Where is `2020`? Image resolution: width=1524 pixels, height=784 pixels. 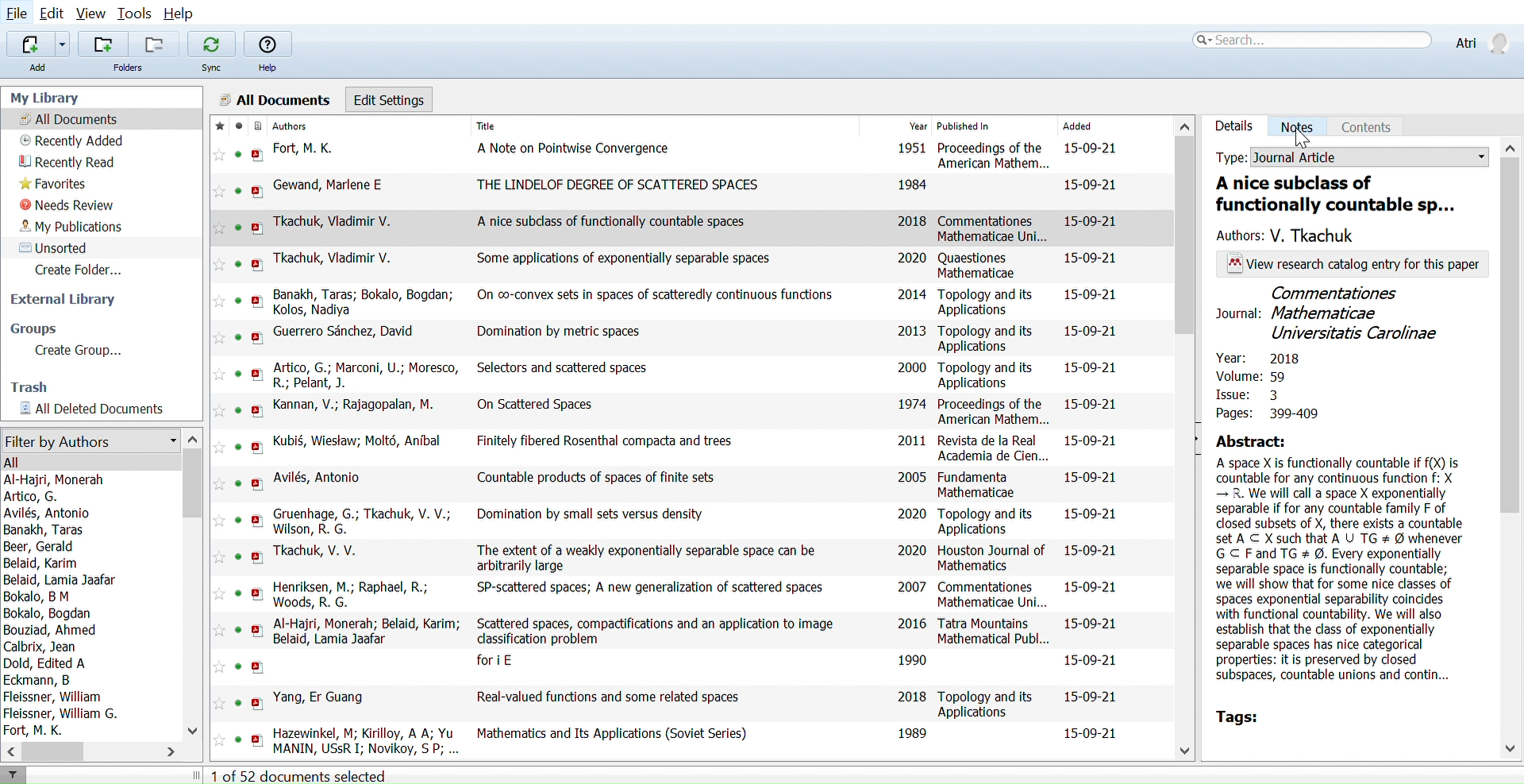
2020 is located at coordinates (910, 256).